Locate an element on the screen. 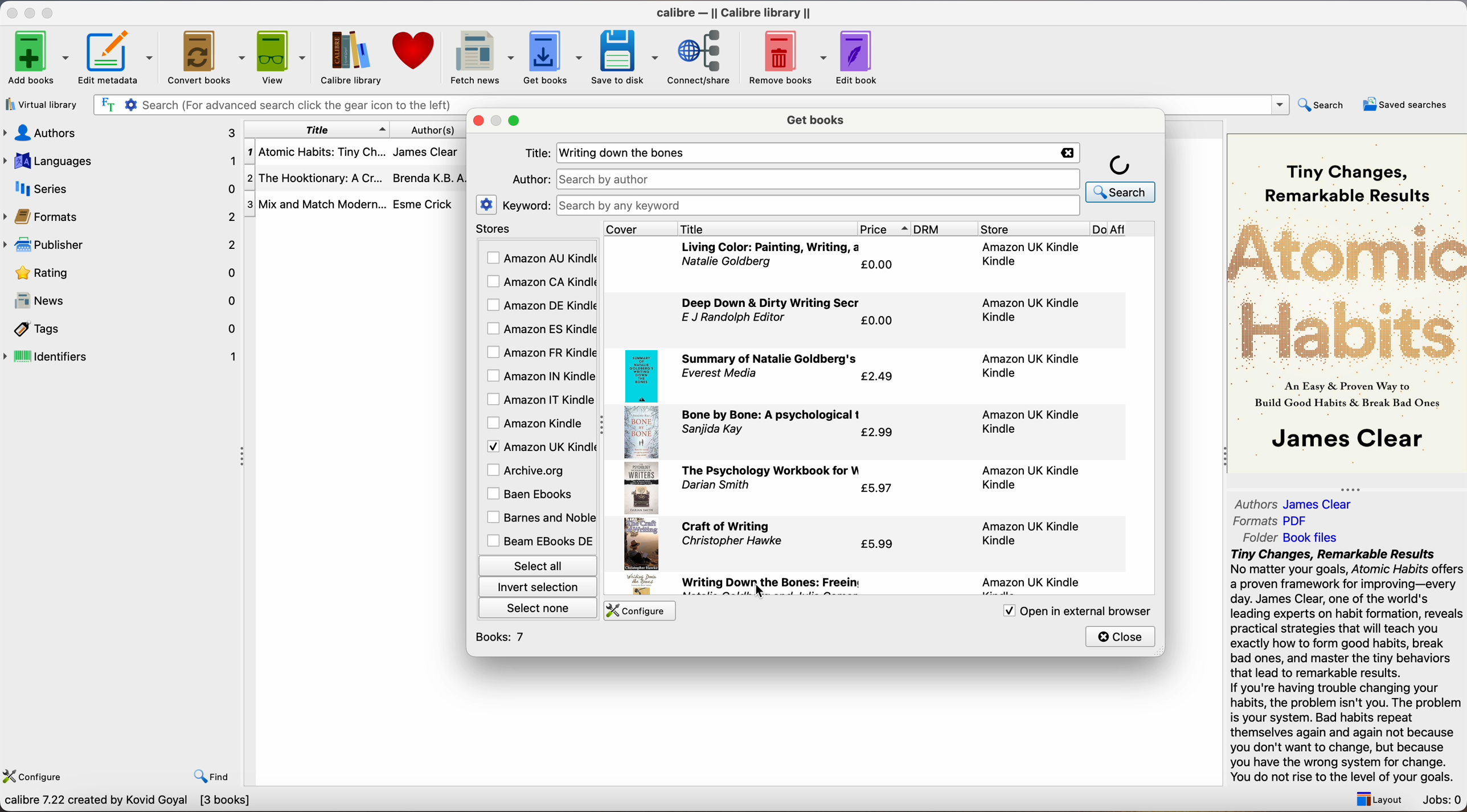 Image resolution: width=1467 pixels, height=812 pixels. amazon AU Kindle is located at coordinates (541, 259).